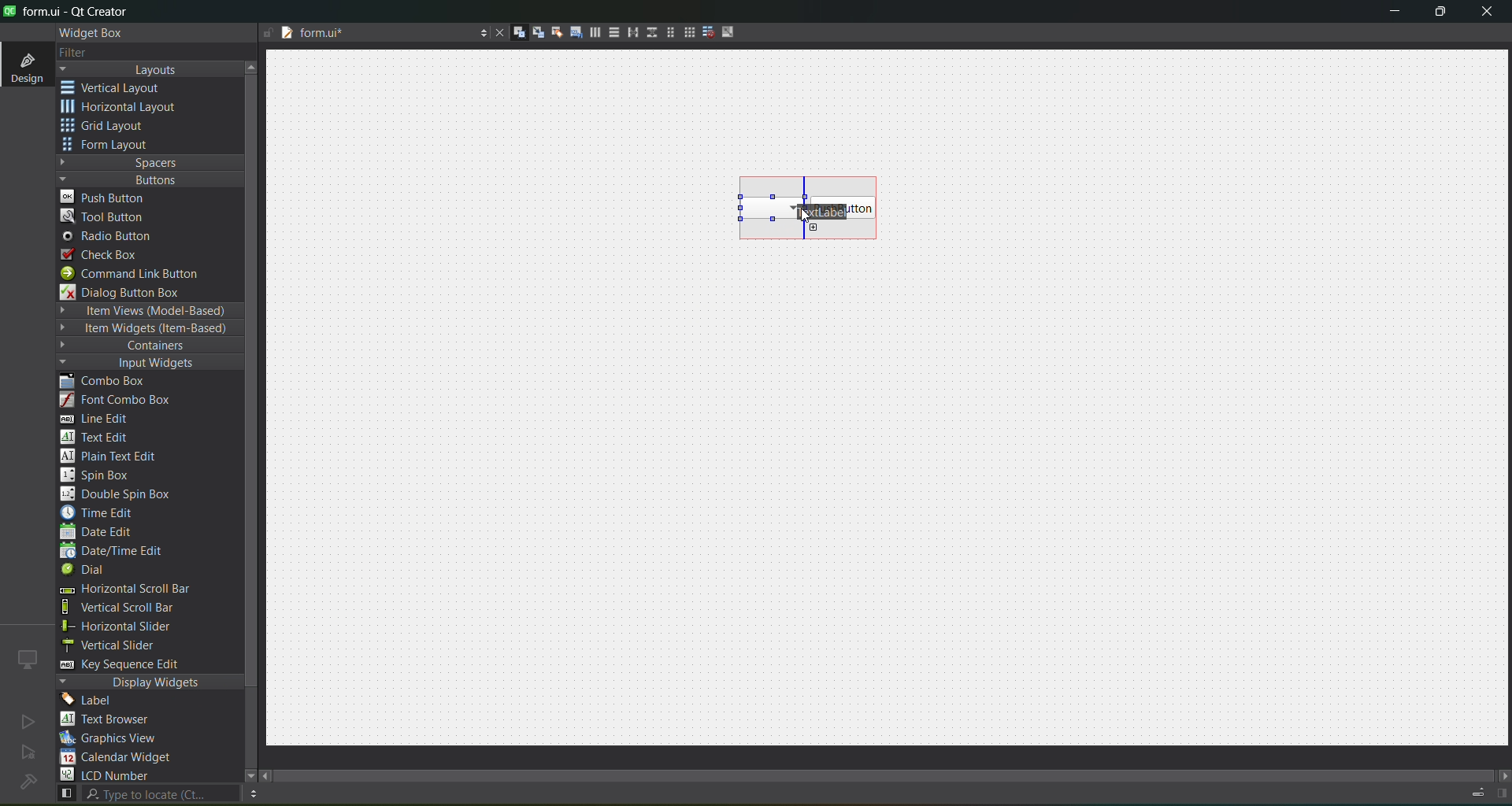  Describe the element at coordinates (1441, 14) in the screenshot. I see `maximize` at that location.